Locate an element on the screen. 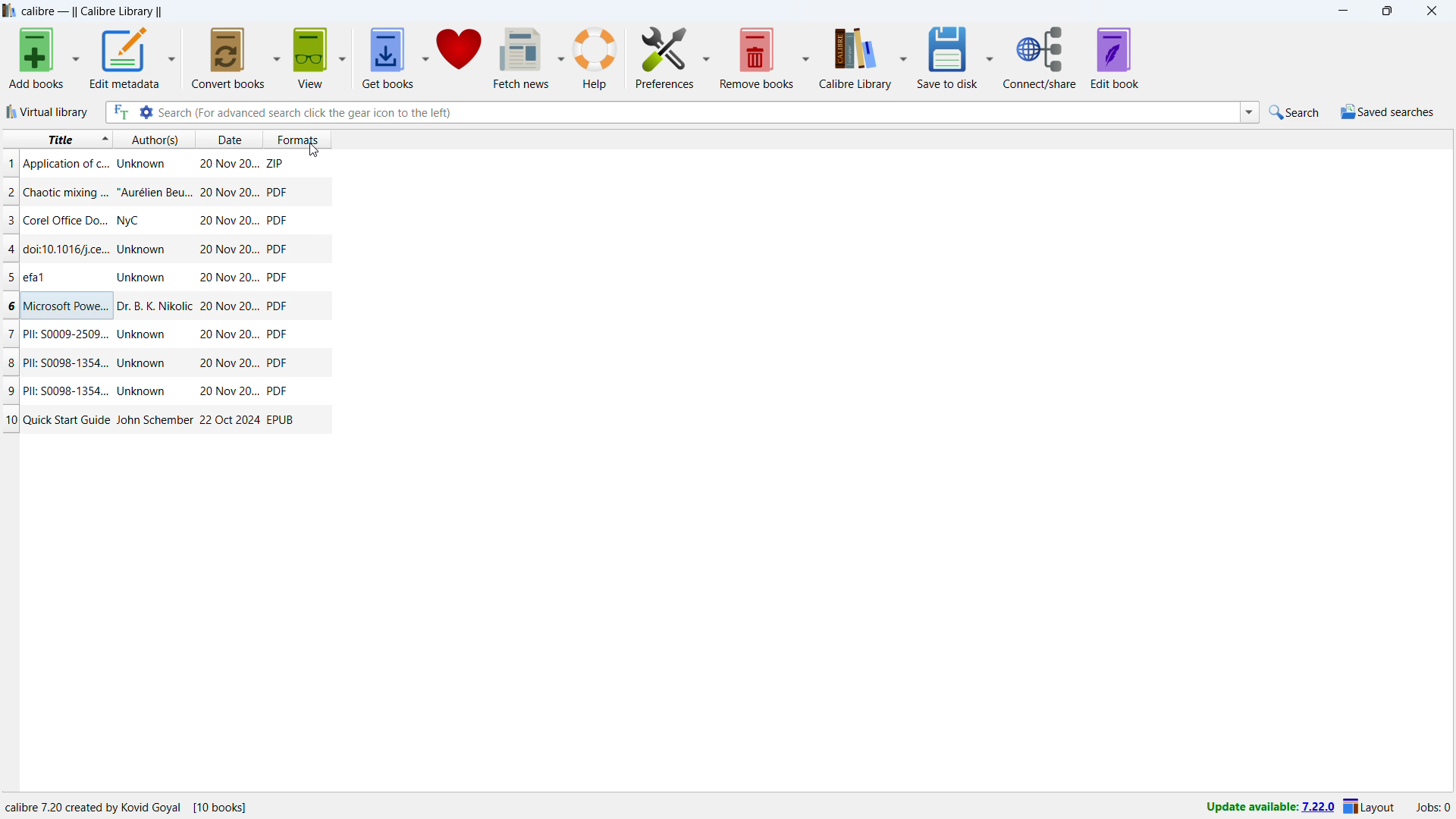 The height and width of the screenshot is (819, 1456). title is located at coordinates (66, 165).